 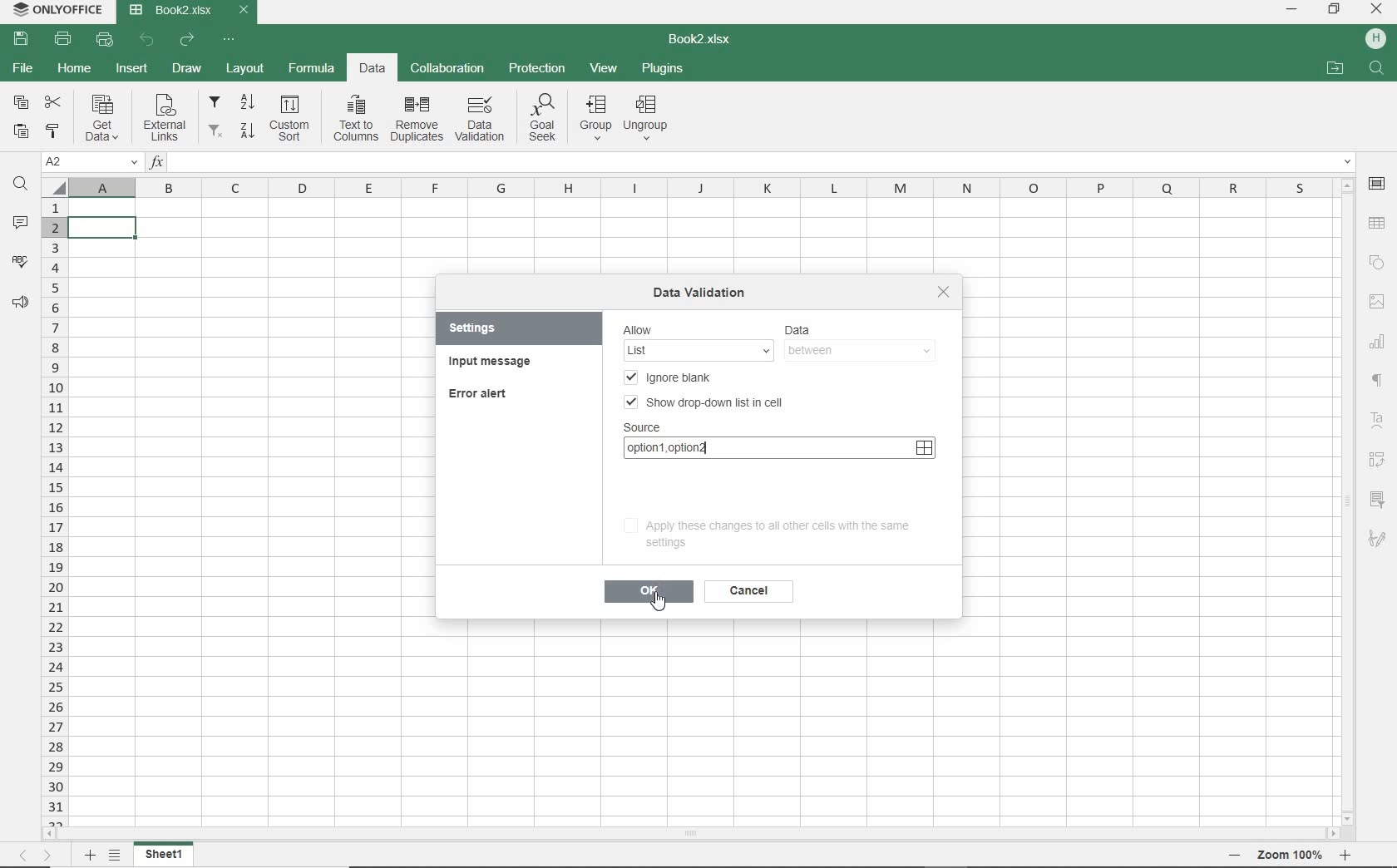 What do you see at coordinates (605, 67) in the screenshot?
I see `VIEW` at bounding box center [605, 67].